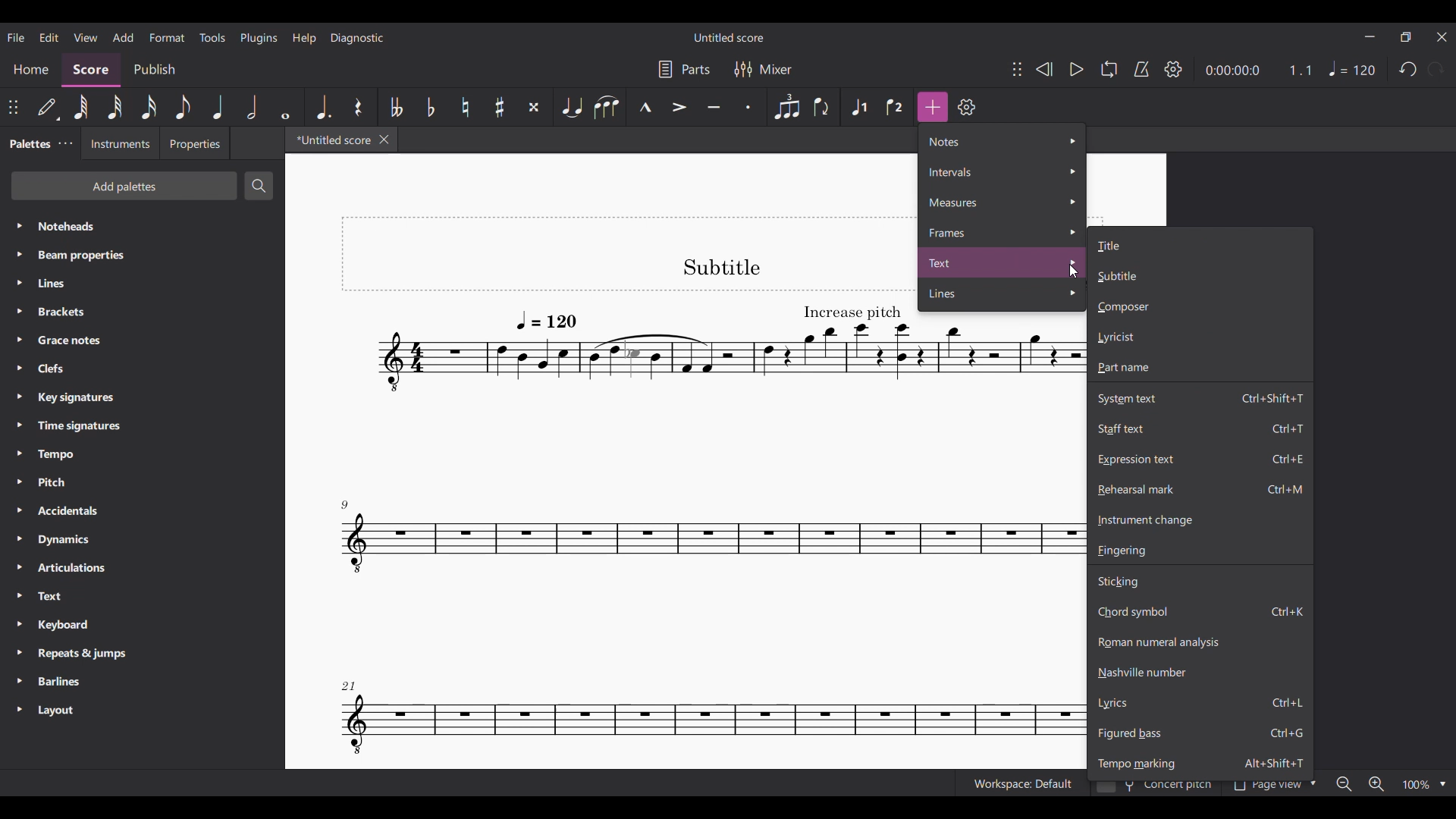 The image size is (1456, 819). I want to click on Voice 1, so click(859, 107).